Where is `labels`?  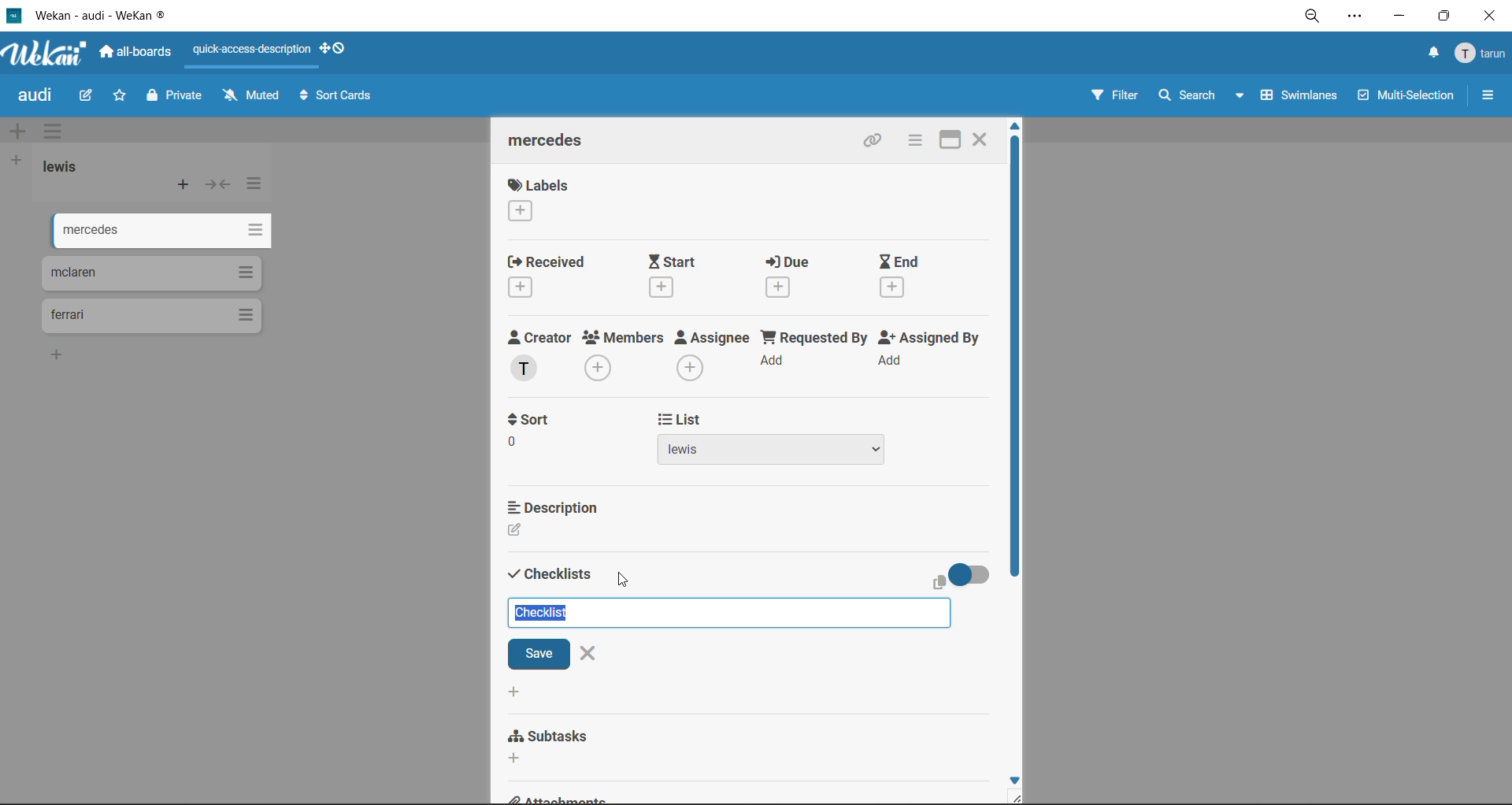
labels is located at coordinates (538, 202).